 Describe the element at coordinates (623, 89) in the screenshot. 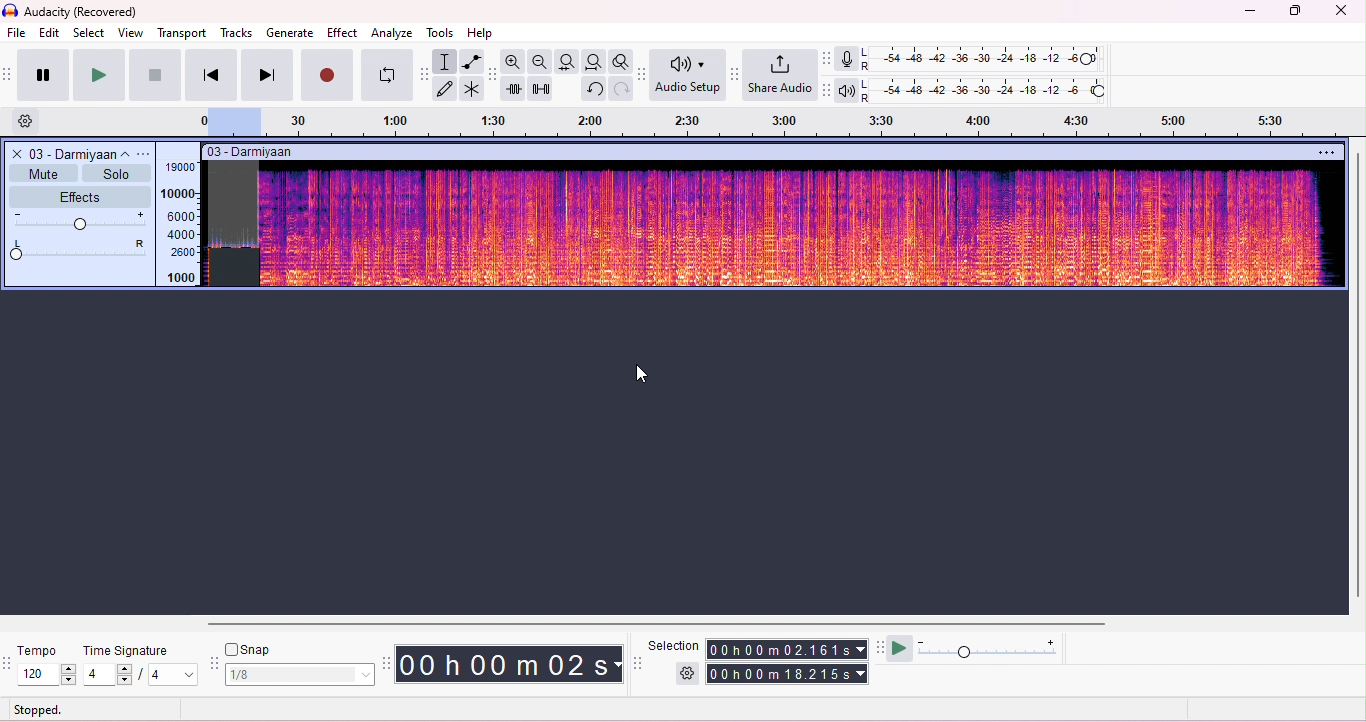

I see `redo` at that location.